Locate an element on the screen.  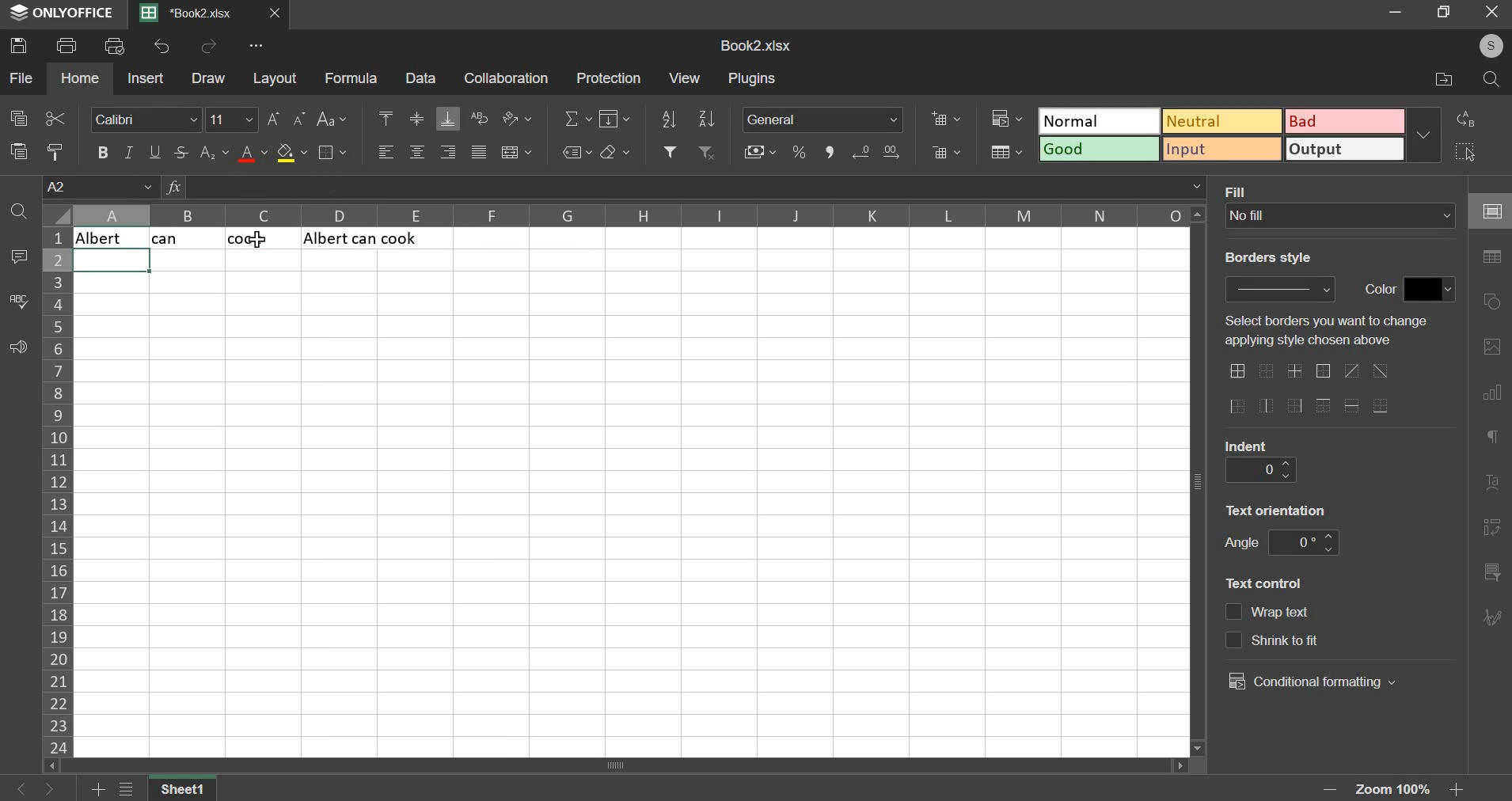
fill is located at coordinates (616, 118).